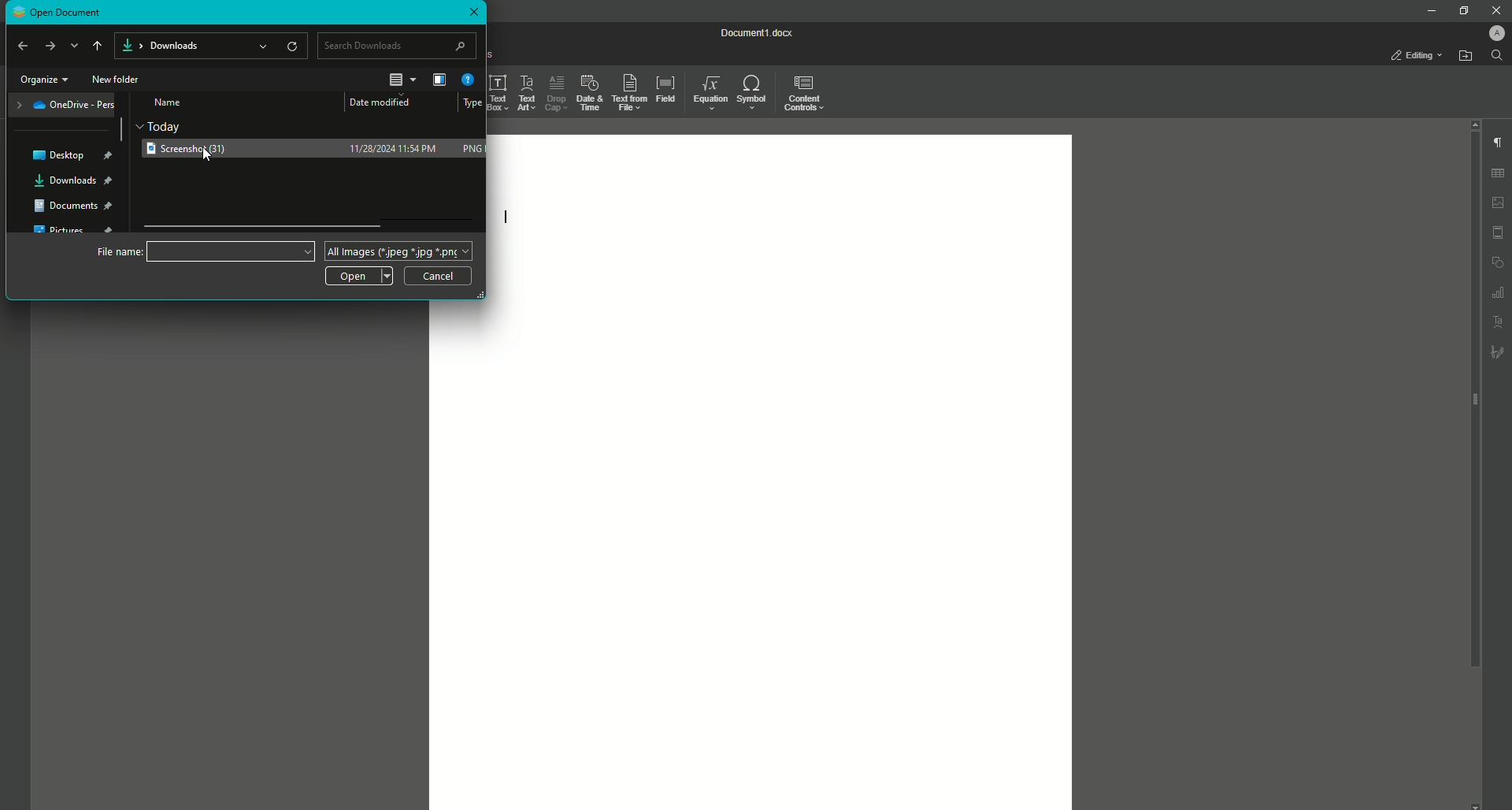 This screenshot has width=1512, height=810. I want to click on Text Line, so click(504, 217).